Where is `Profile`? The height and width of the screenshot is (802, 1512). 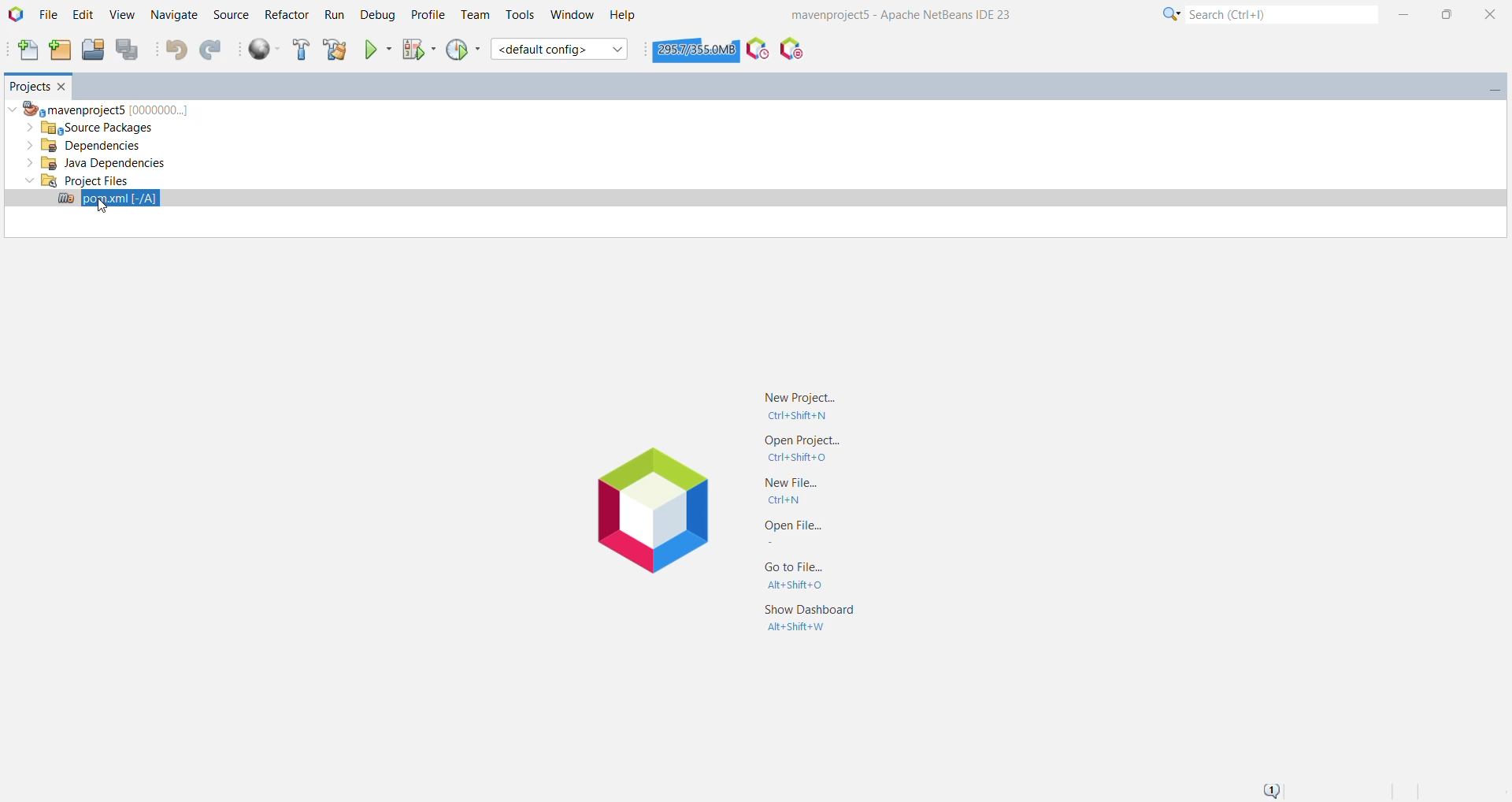
Profile is located at coordinates (426, 15).